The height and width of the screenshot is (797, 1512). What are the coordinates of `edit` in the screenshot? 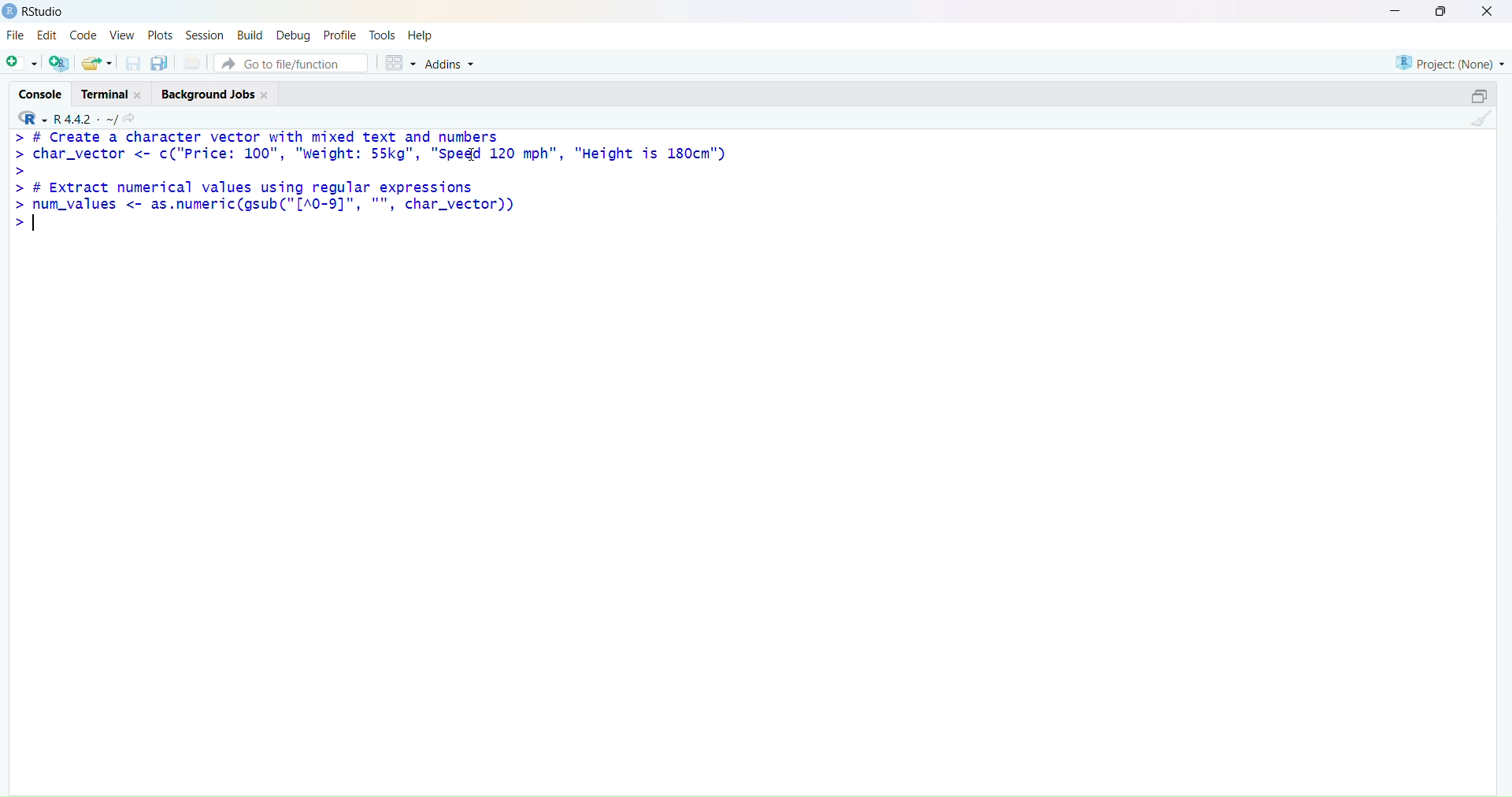 It's located at (49, 35).